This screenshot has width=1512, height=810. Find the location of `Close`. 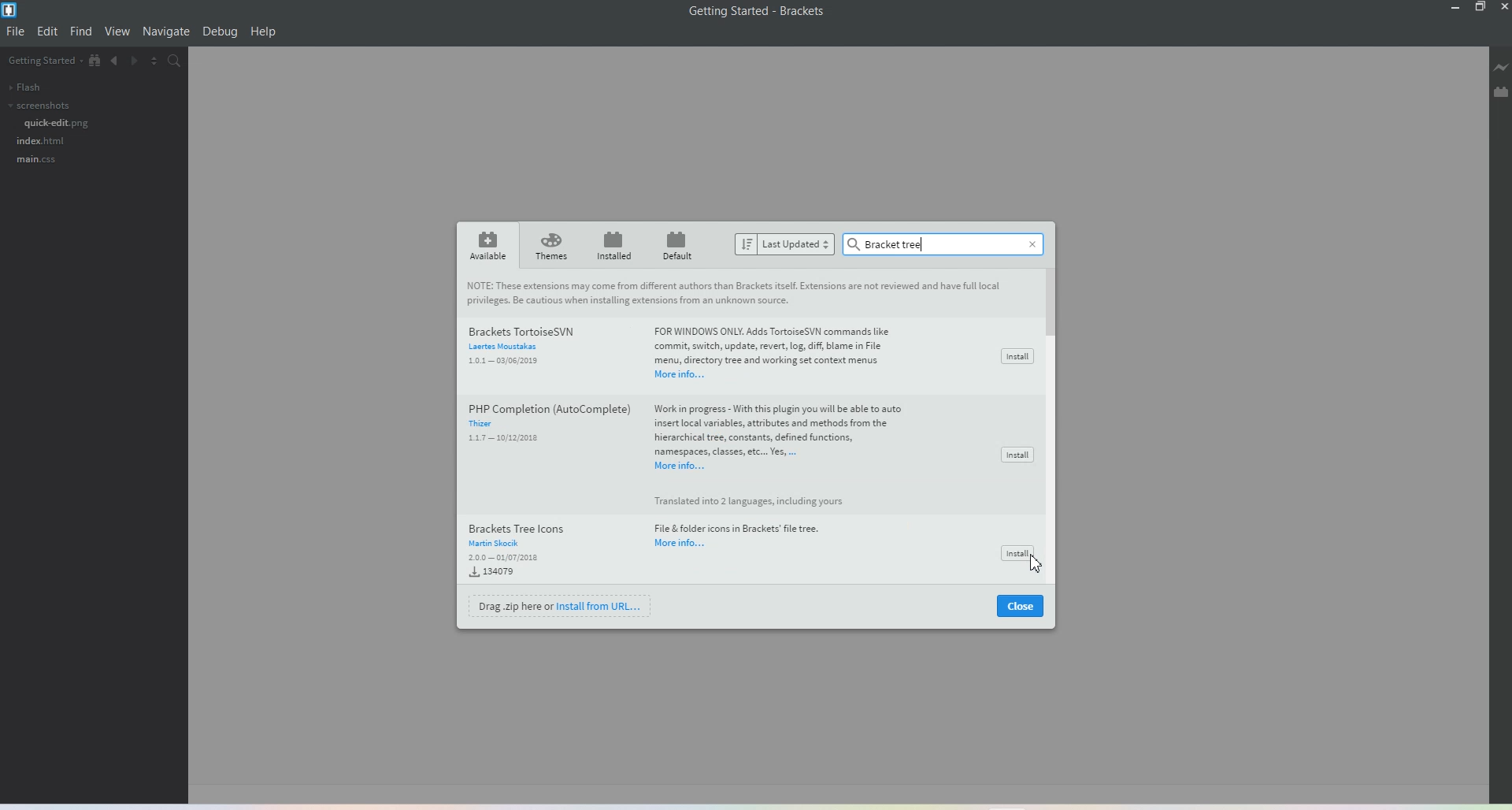

Close is located at coordinates (1029, 241).